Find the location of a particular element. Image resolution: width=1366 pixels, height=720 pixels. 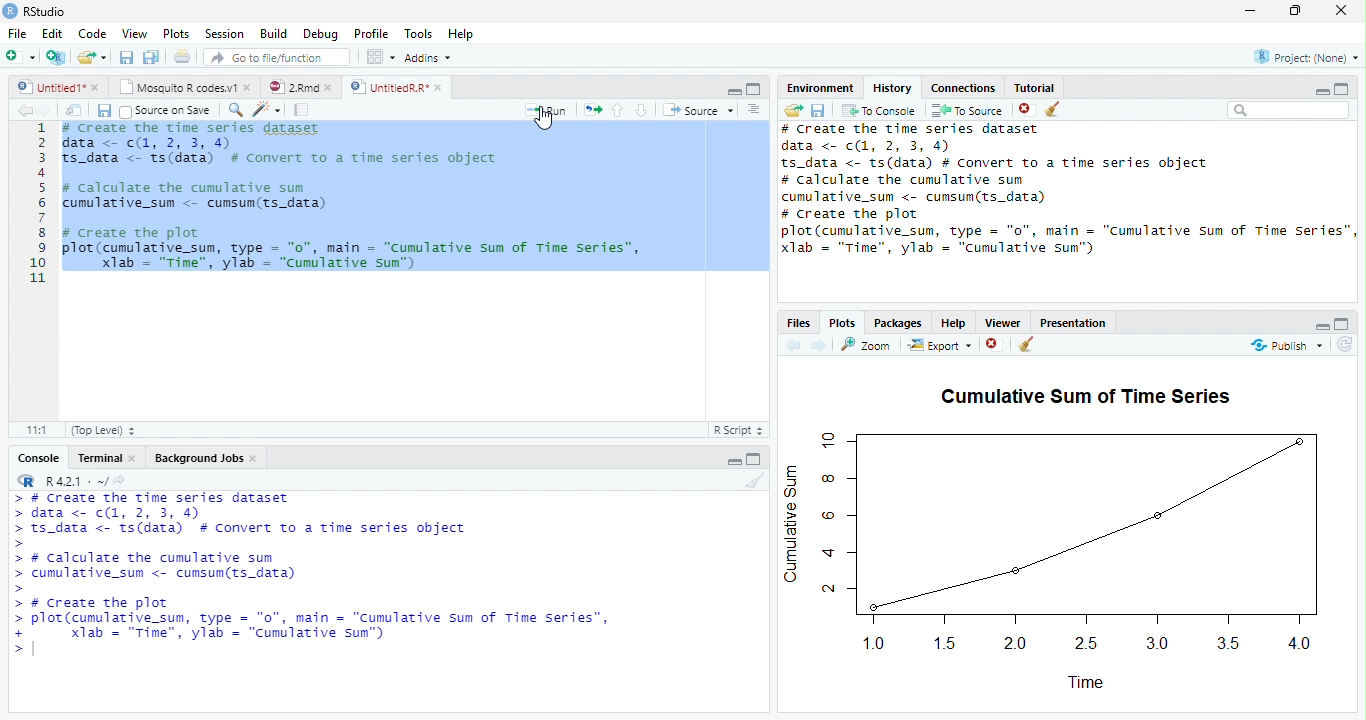

Untitled is located at coordinates (58, 88).